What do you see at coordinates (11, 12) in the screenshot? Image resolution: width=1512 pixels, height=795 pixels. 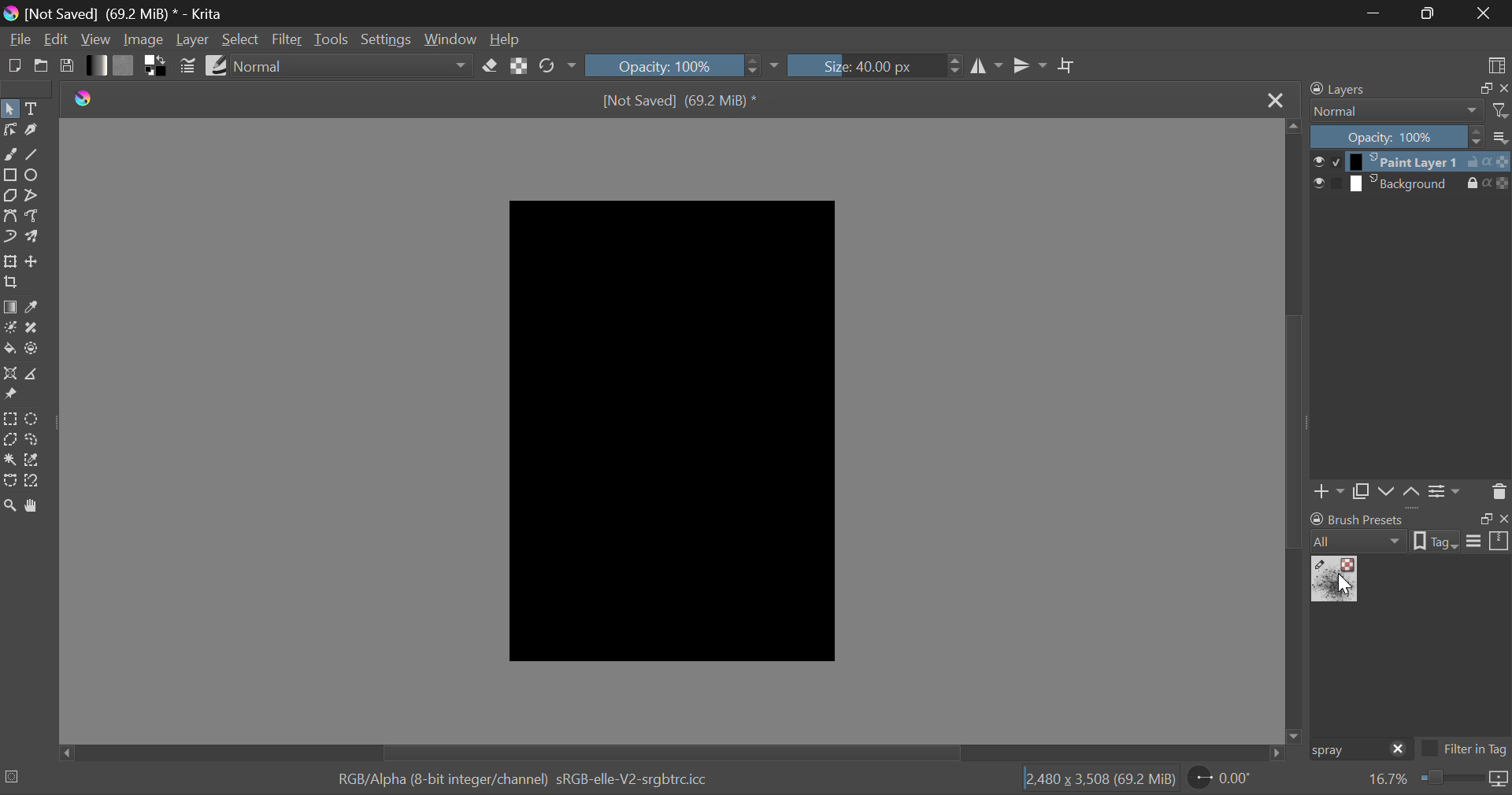 I see `logo` at bounding box center [11, 12].